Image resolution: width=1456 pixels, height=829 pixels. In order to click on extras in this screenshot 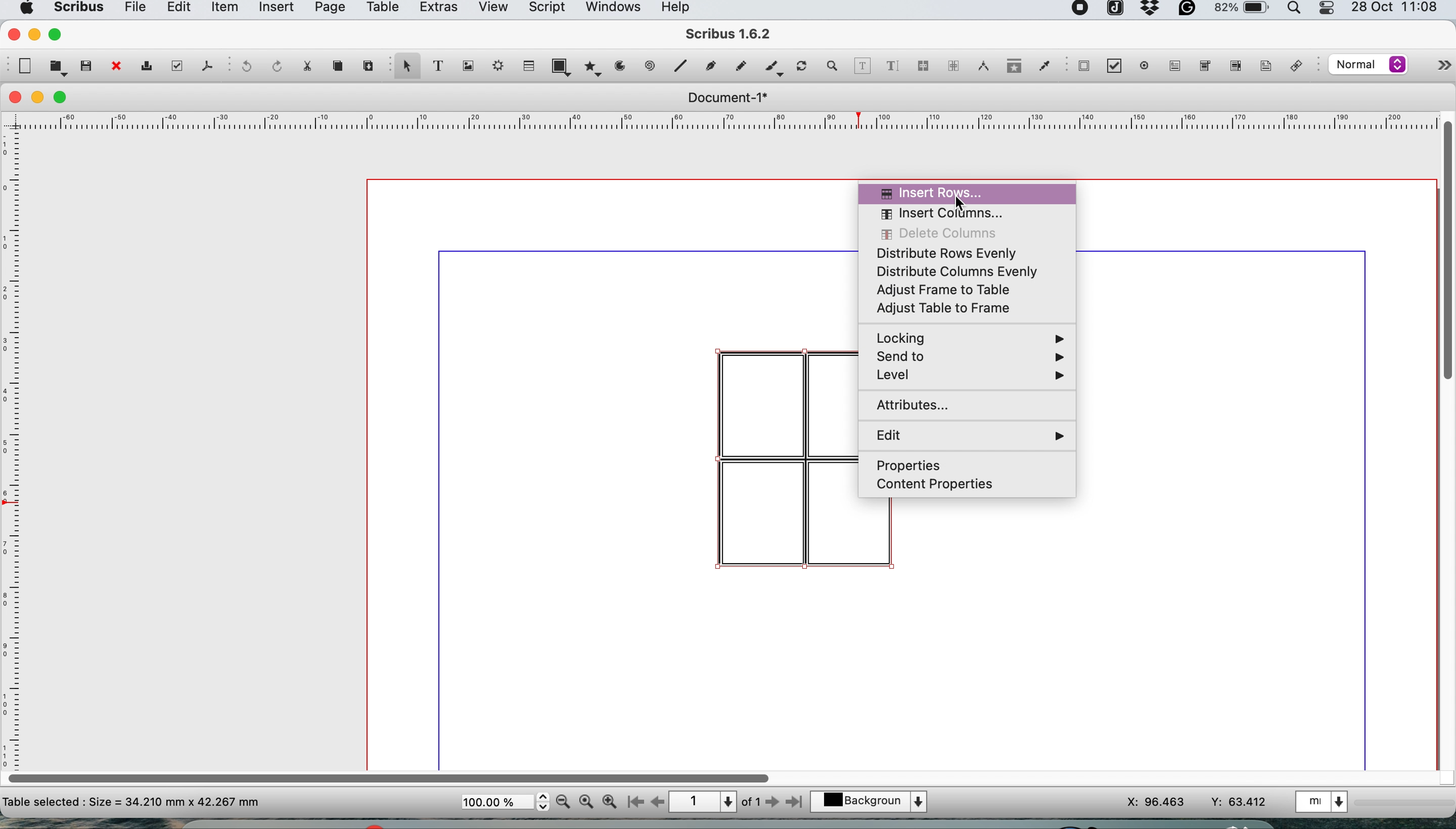, I will do `click(436, 10)`.